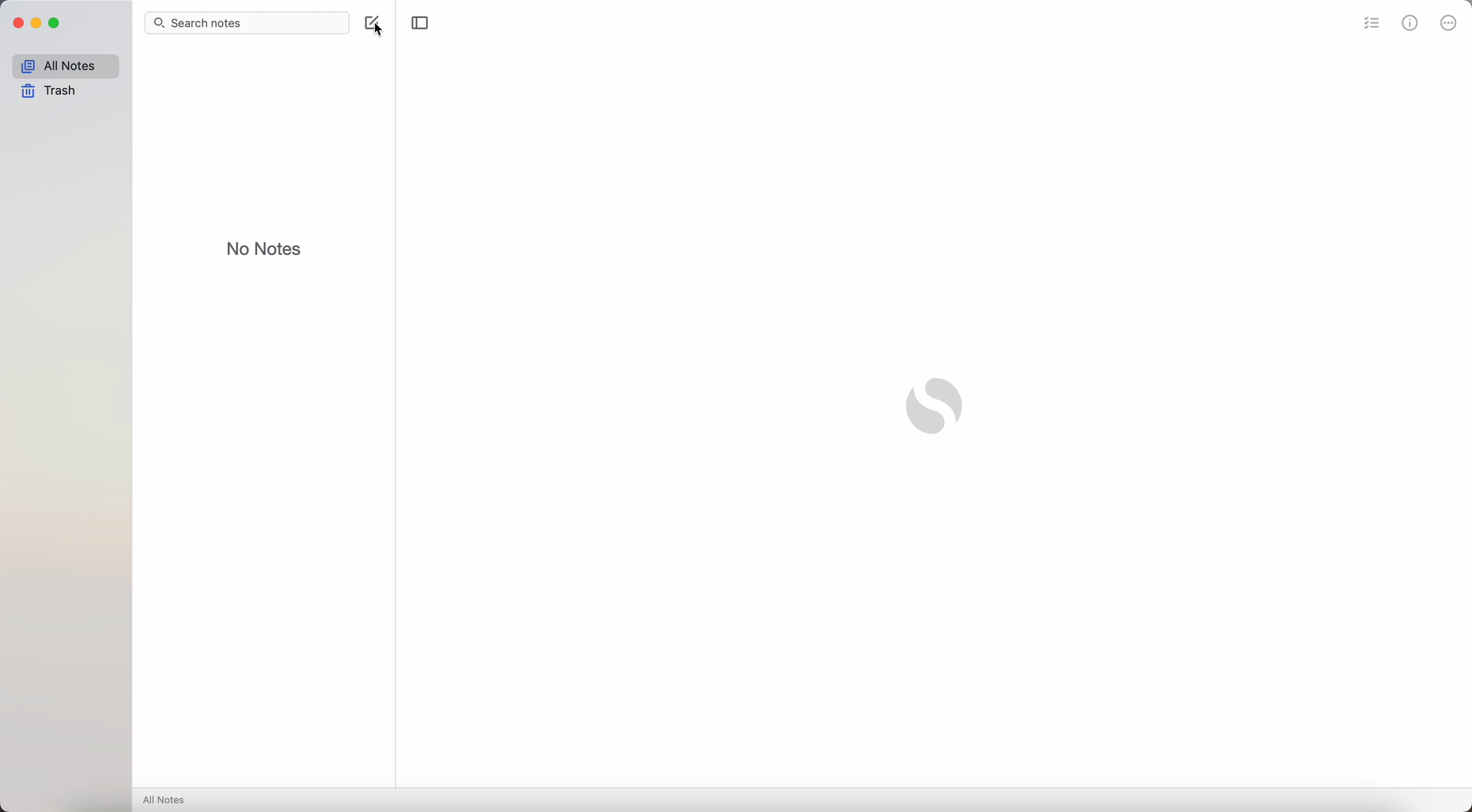  I want to click on search bar, so click(247, 22).